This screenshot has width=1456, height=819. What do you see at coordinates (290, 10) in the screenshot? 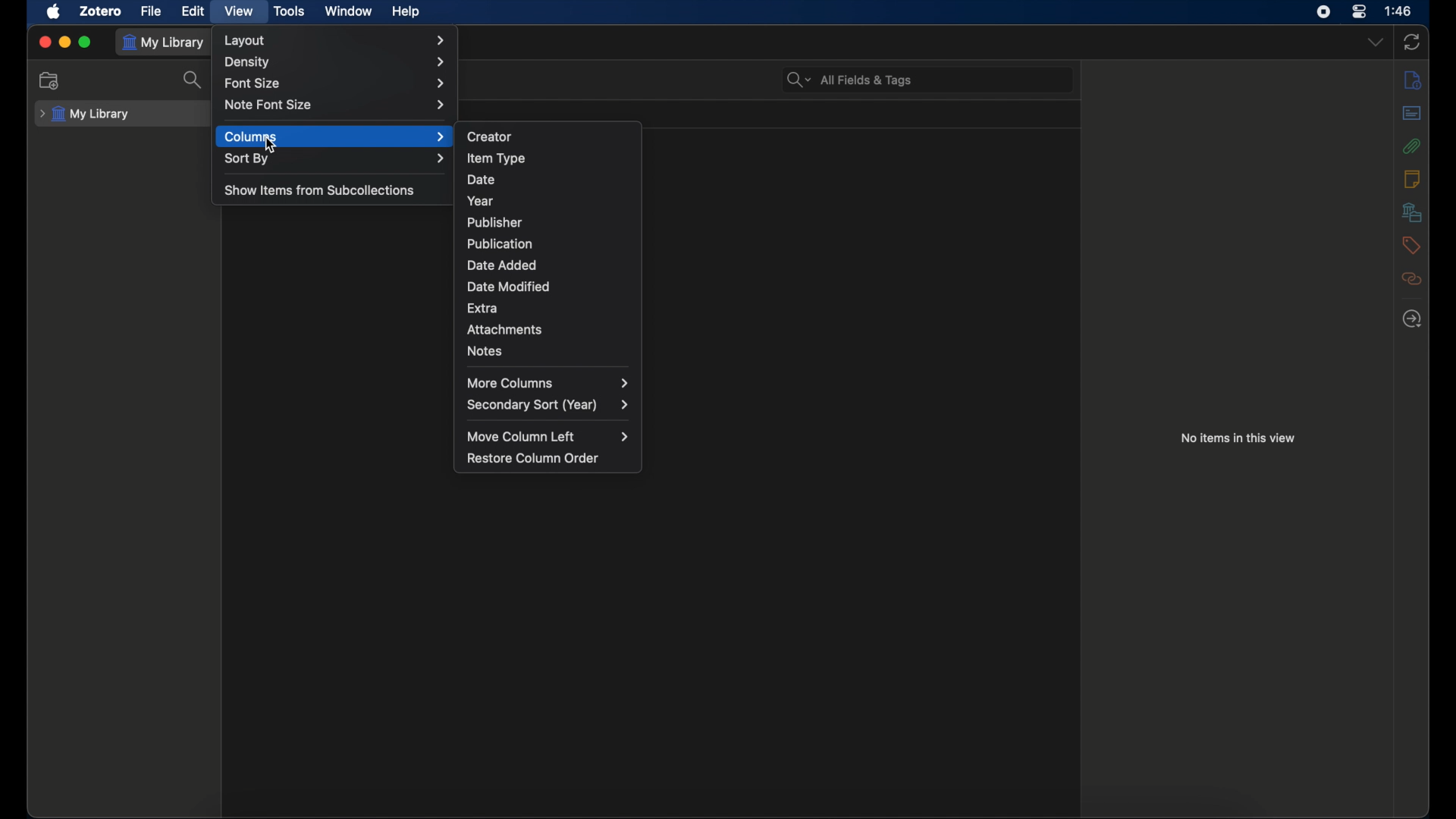
I see `tools` at bounding box center [290, 10].